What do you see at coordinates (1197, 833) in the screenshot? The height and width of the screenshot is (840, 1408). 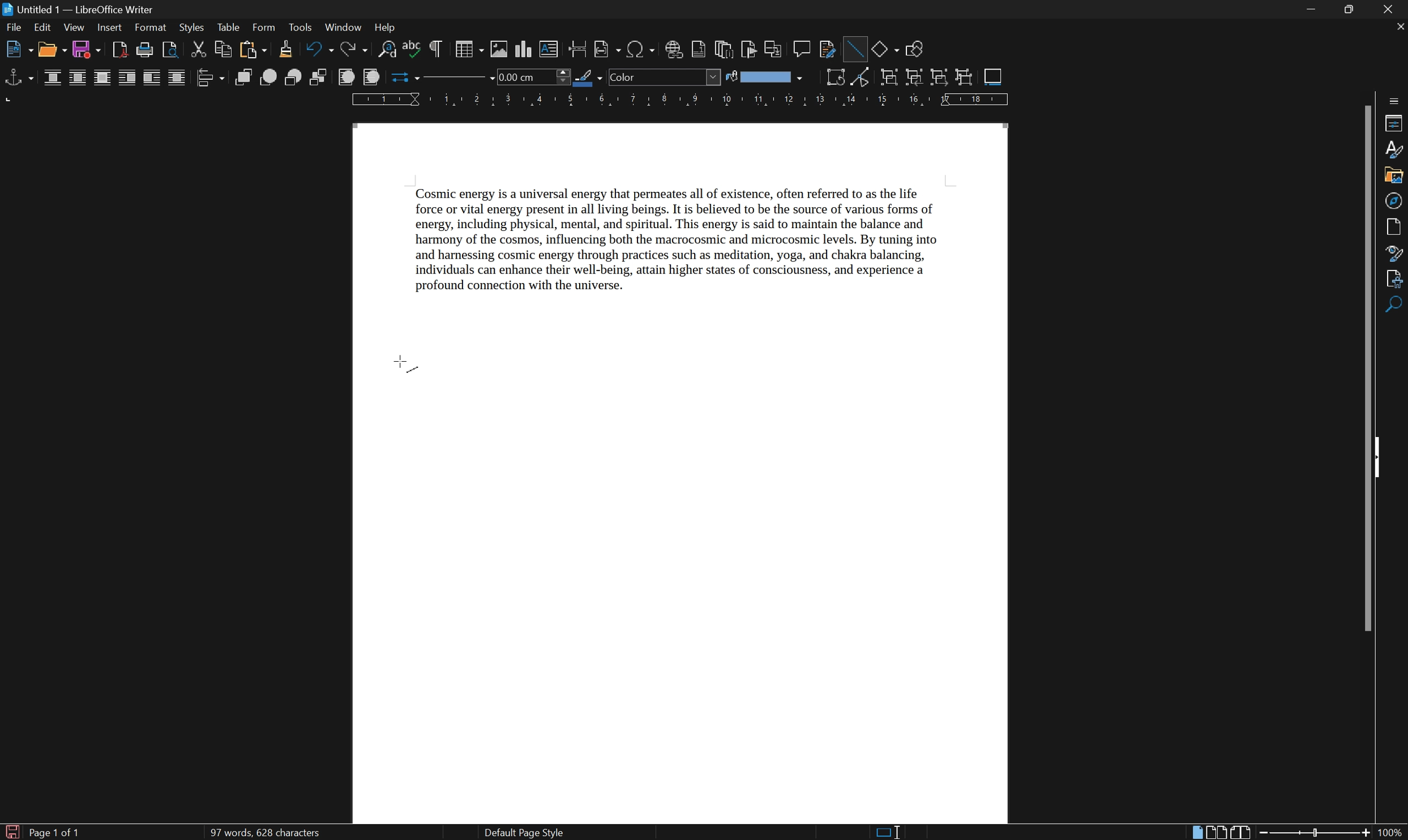 I see `single page view` at bounding box center [1197, 833].